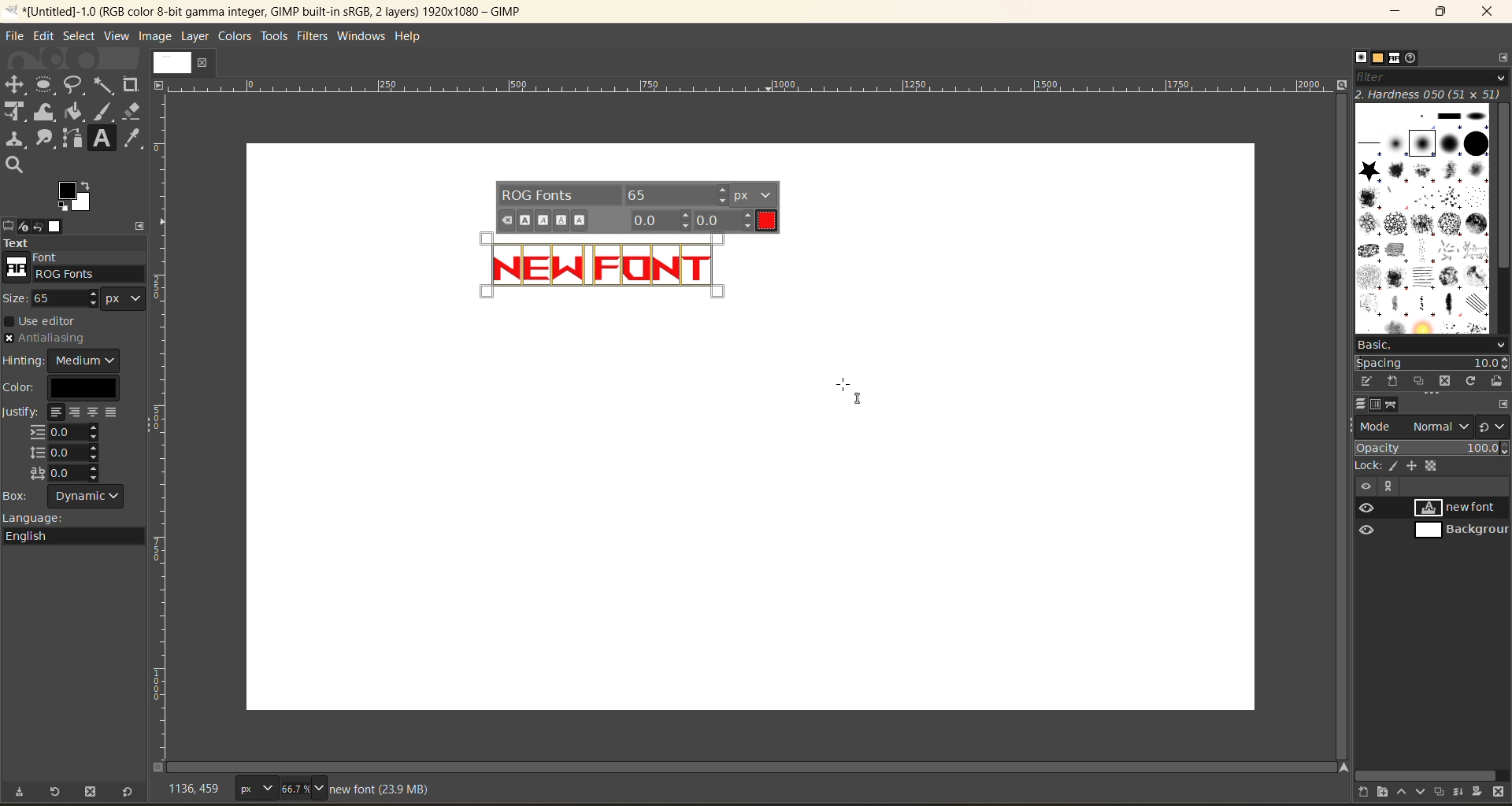  I want to click on text in red, so click(603, 268).